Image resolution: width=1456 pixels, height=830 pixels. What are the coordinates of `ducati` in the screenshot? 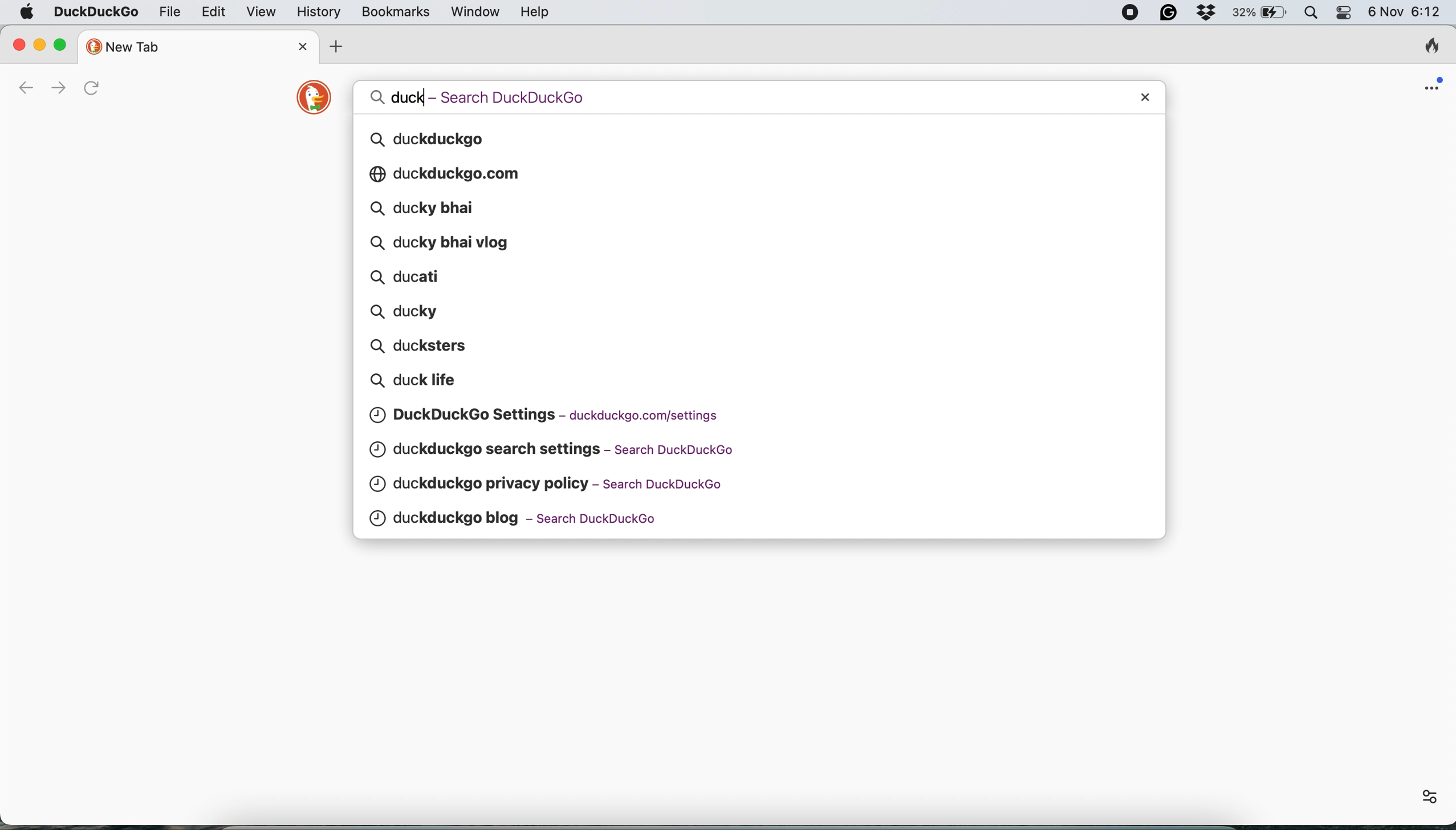 It's located at (416, 277).